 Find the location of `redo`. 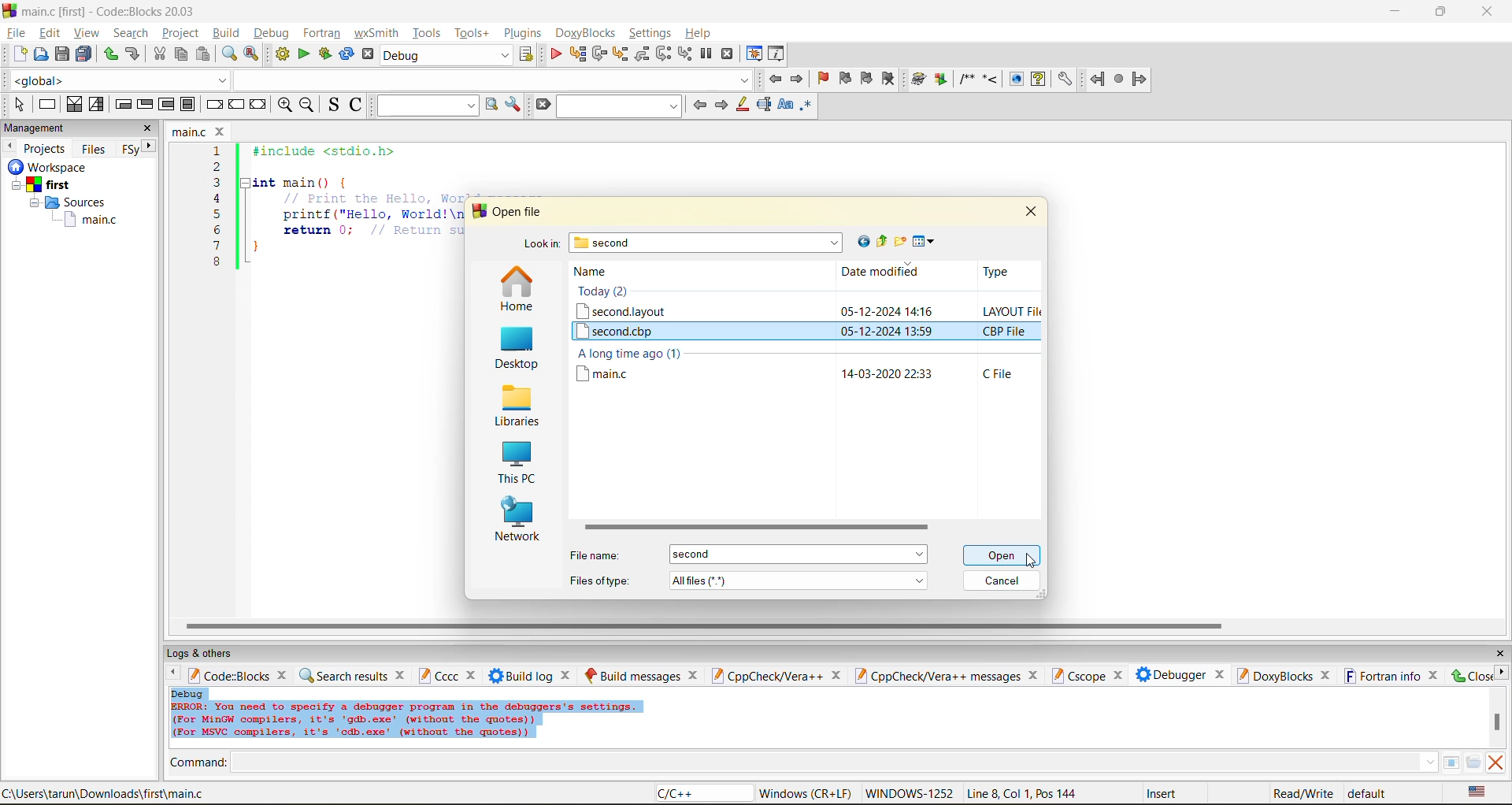

redo is located at coordinates (110, 54).